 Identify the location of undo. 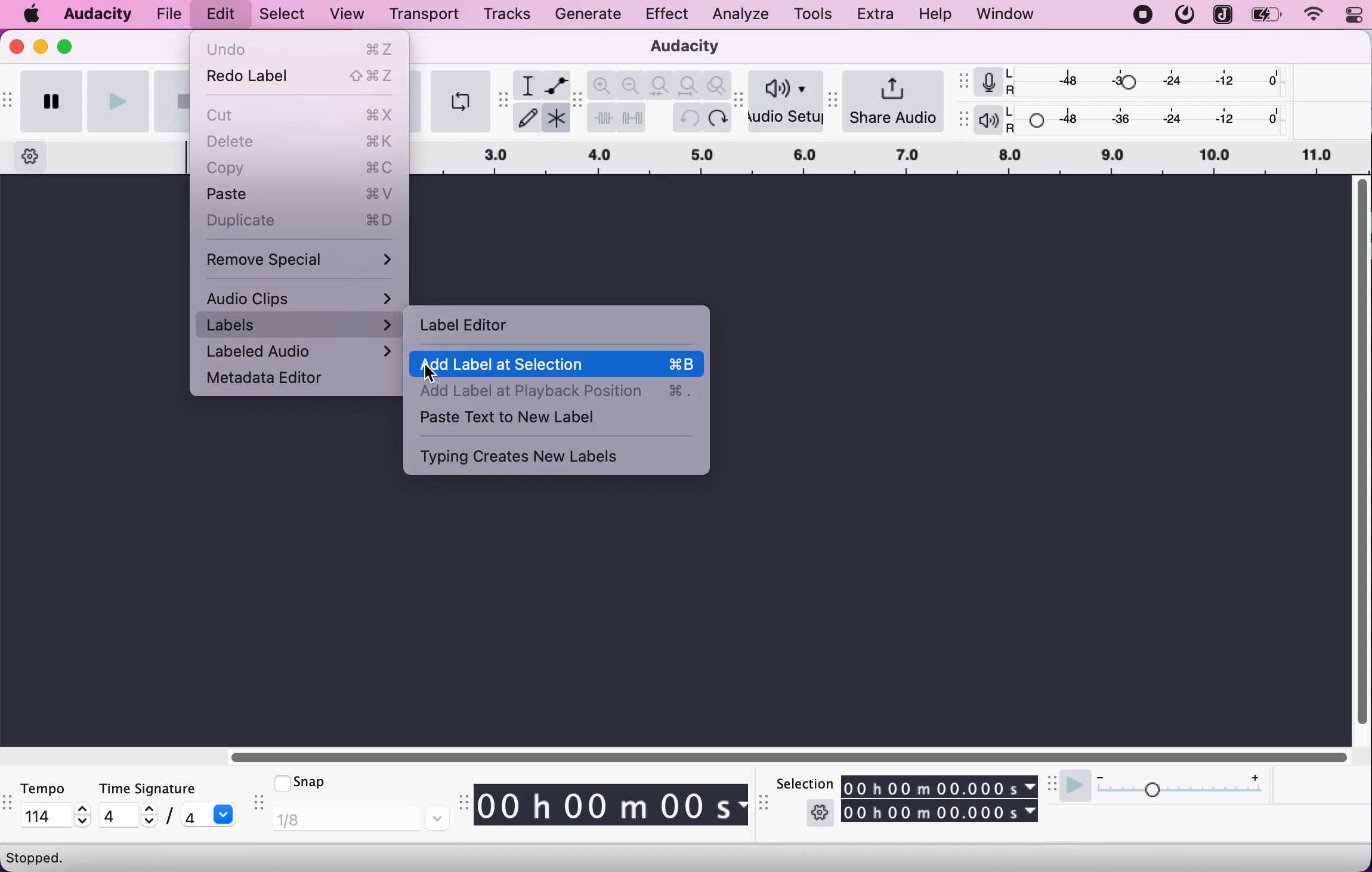
(301, 48).